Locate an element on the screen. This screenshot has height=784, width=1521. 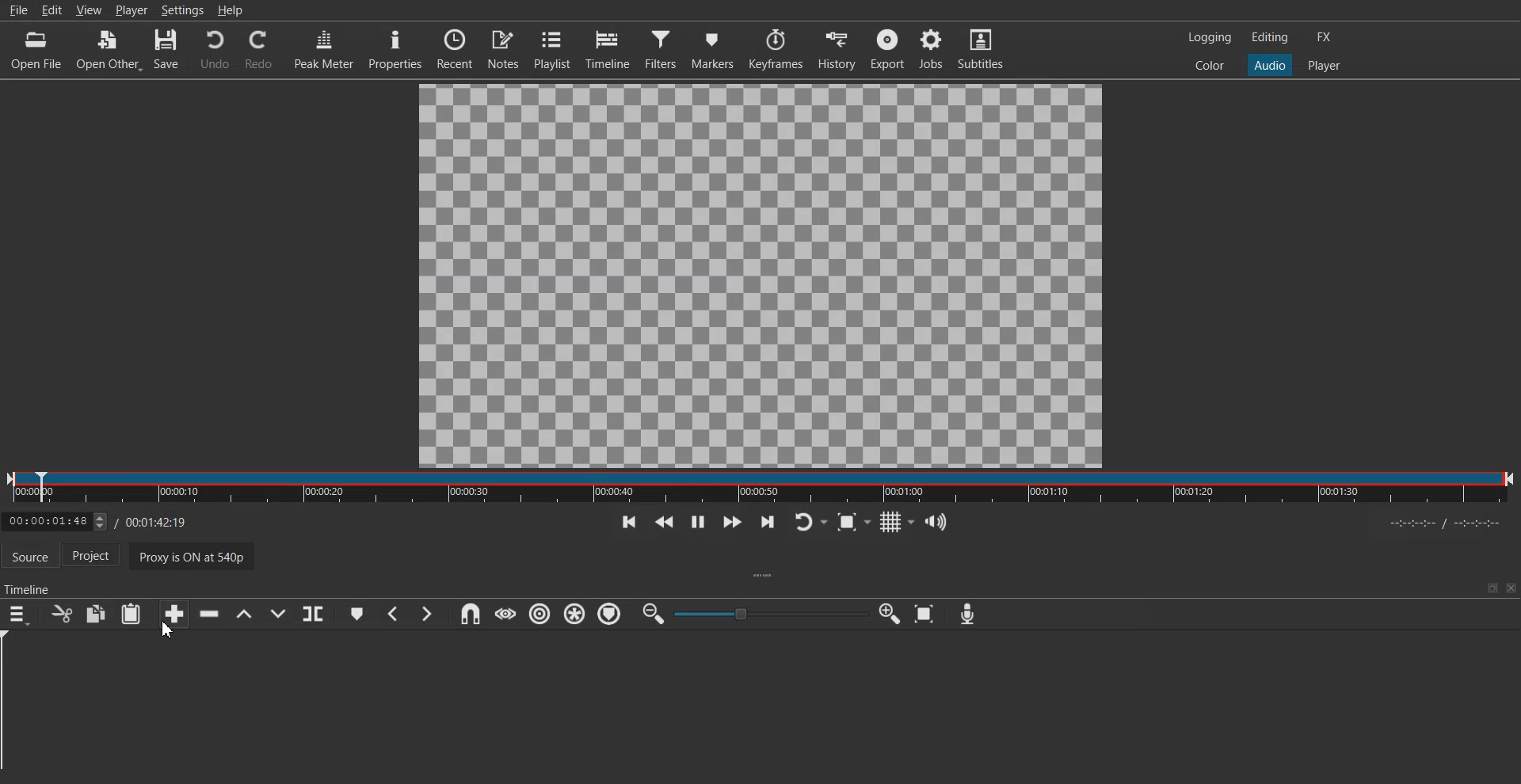
Notes is located at coordinates (505, 49).